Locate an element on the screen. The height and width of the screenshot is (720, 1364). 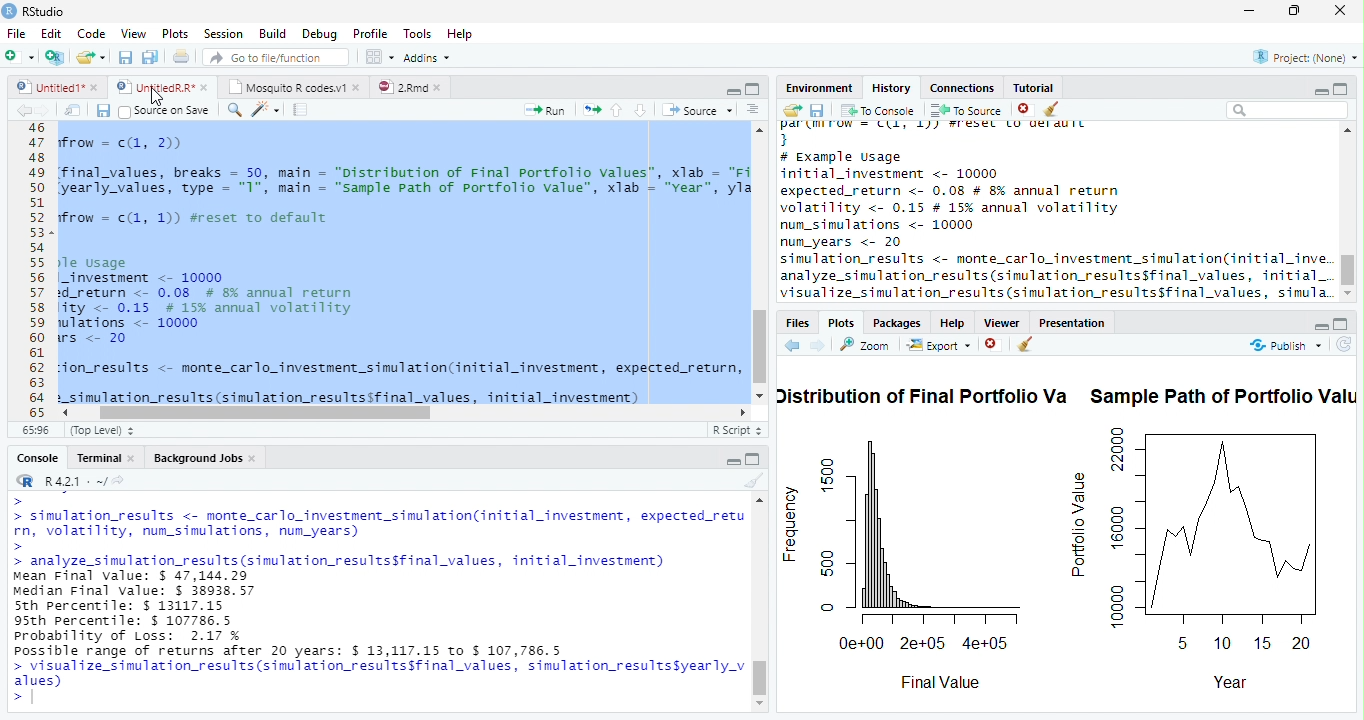
Scroll bar is located at coordinates (268, 412).